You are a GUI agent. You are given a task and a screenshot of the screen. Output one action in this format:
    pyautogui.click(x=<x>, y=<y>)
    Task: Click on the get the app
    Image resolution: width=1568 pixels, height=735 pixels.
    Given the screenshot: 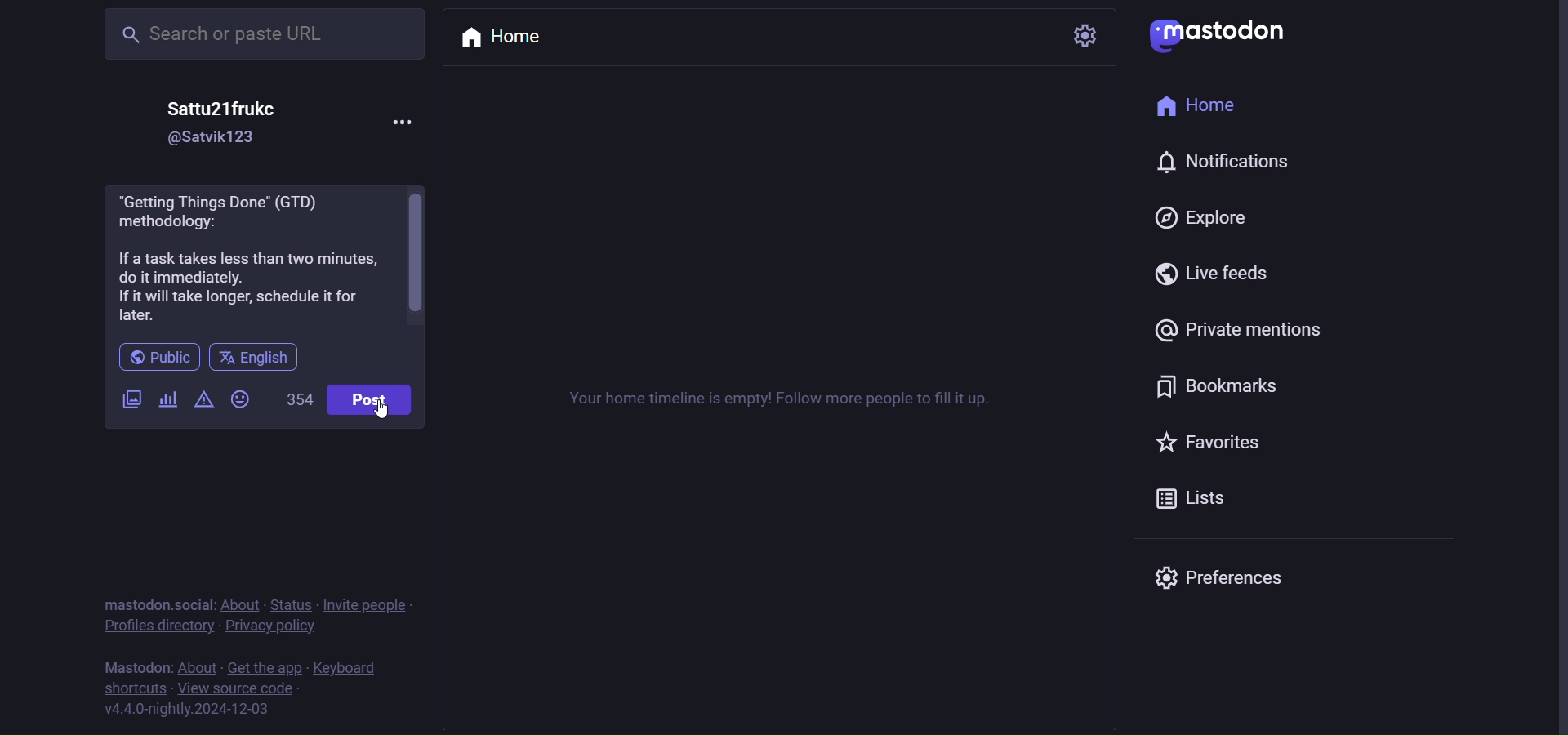 What is the action you would take?
    pyautogui.click(x=263, y=666)
    